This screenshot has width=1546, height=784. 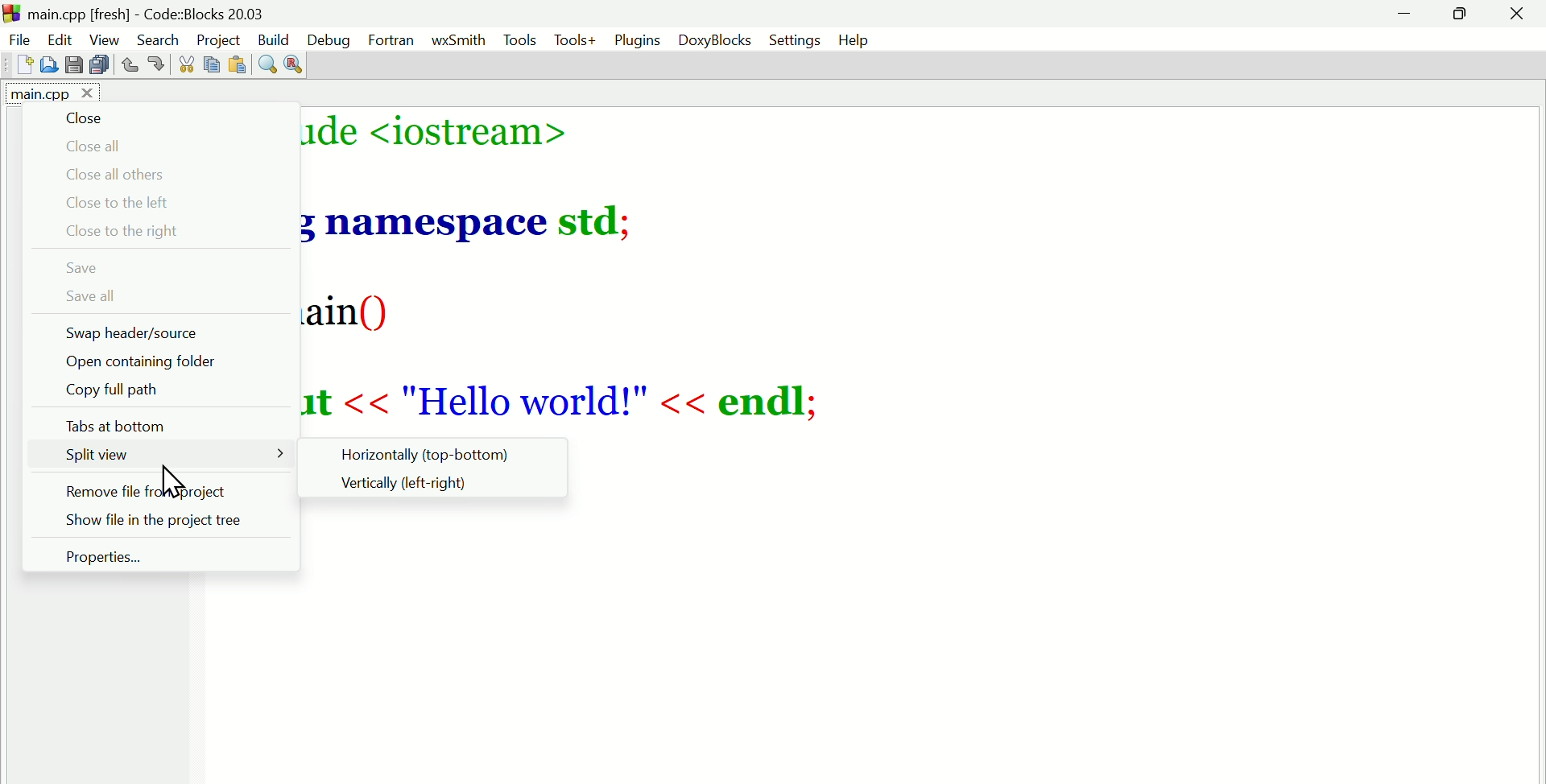 I want to click on Build, so click(x=276, y=40).